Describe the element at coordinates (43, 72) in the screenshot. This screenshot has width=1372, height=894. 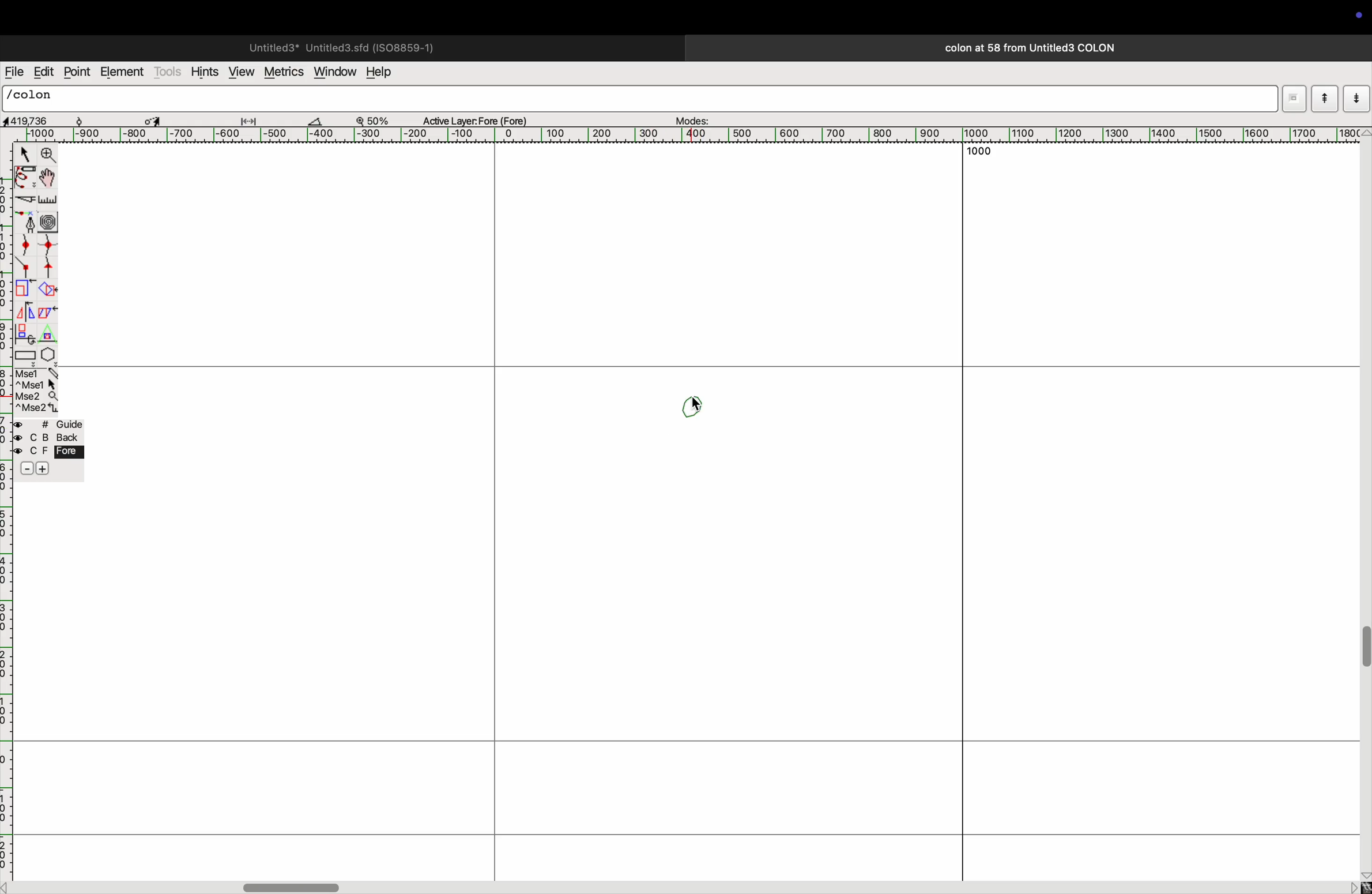
I see `edit` at that location.